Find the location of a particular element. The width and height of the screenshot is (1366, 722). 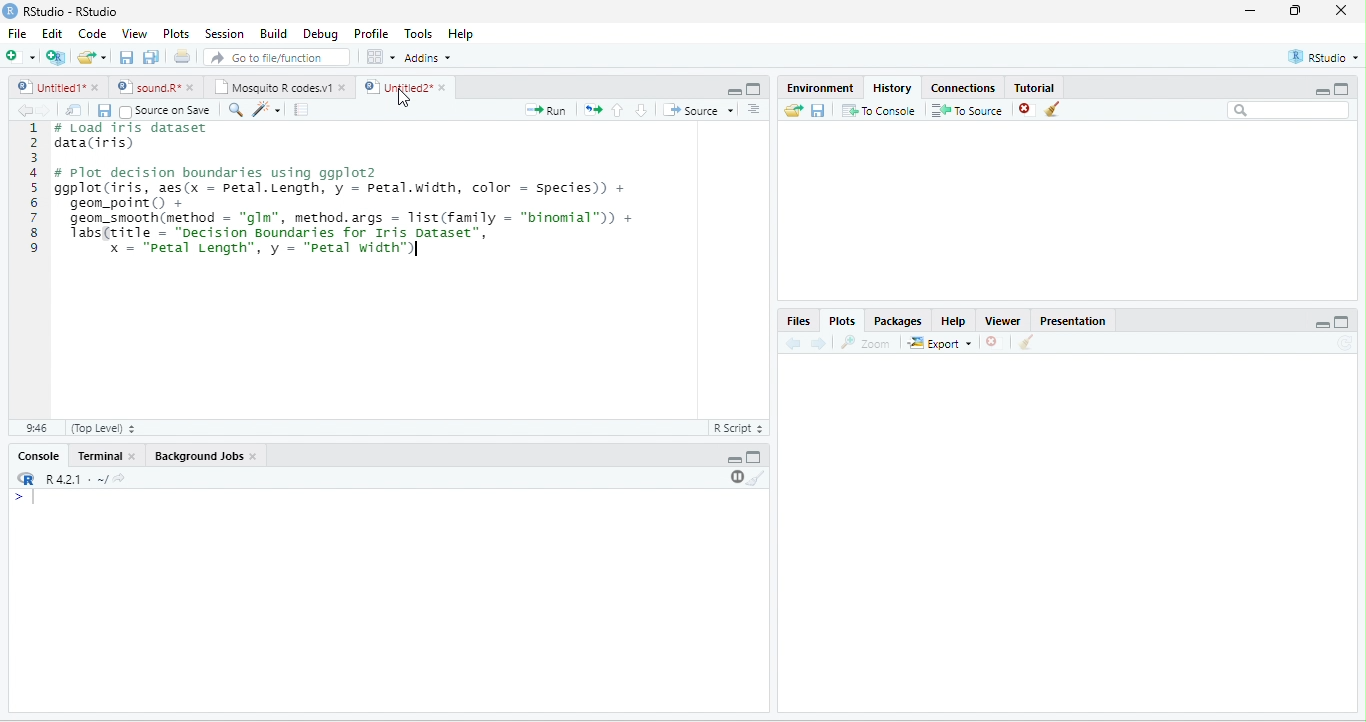

tools is located at coordinates (265, 111).